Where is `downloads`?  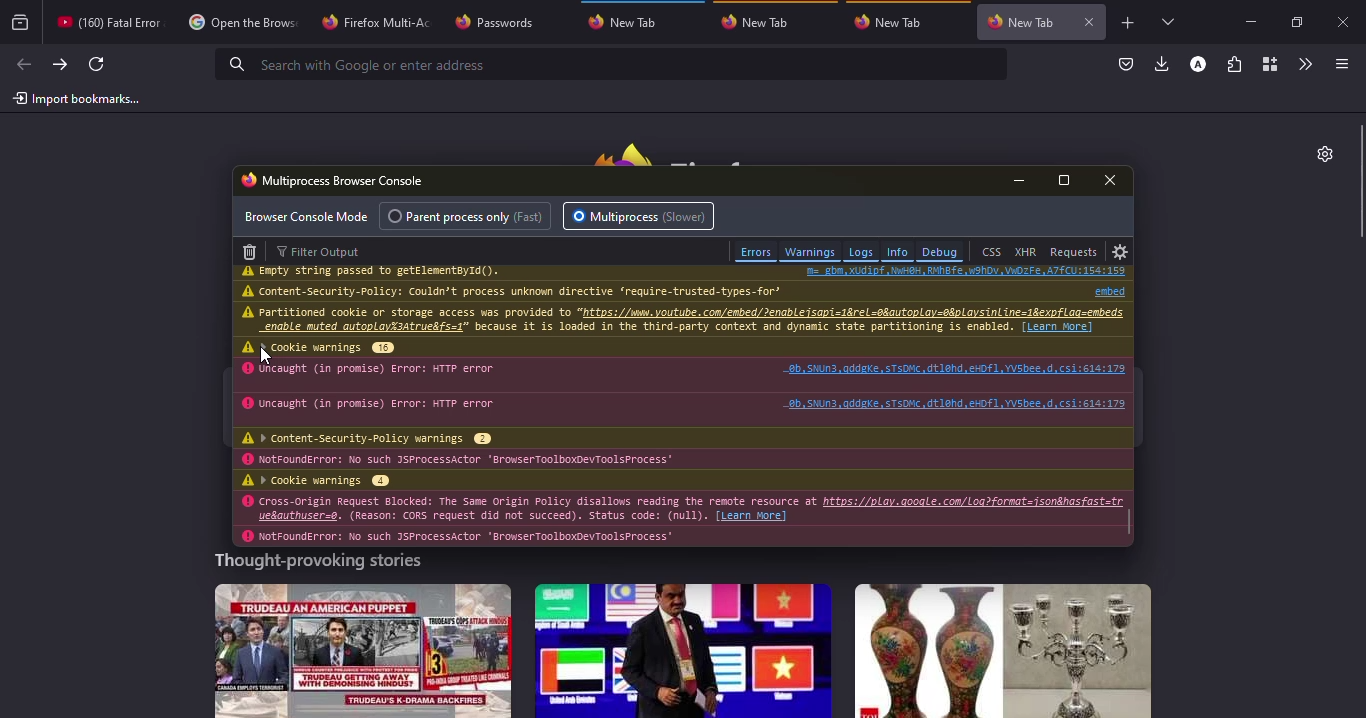 downloads is located at coordinates (1161, 65).